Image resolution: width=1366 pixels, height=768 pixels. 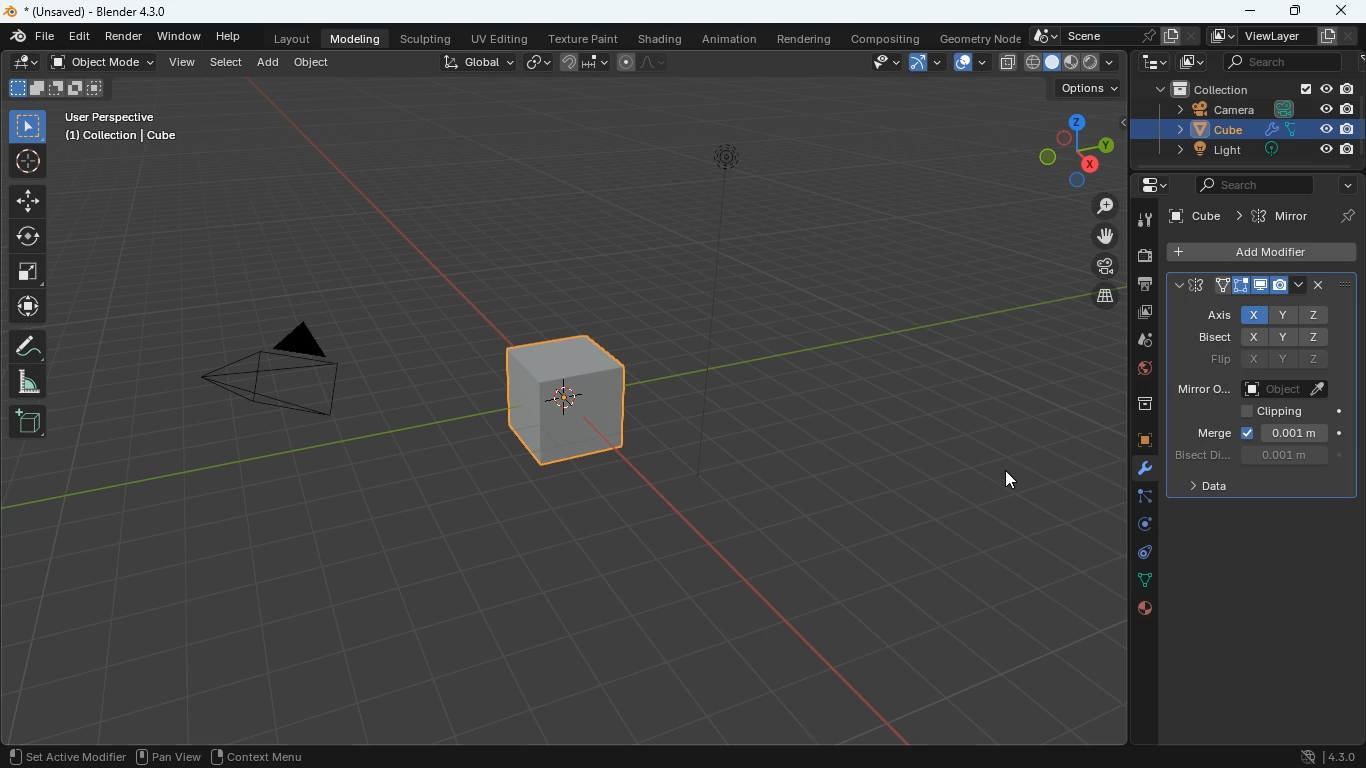 What do you see at coordinates (269, 63) in the screenshot?
I see `add` at bounding box center [269, 63].